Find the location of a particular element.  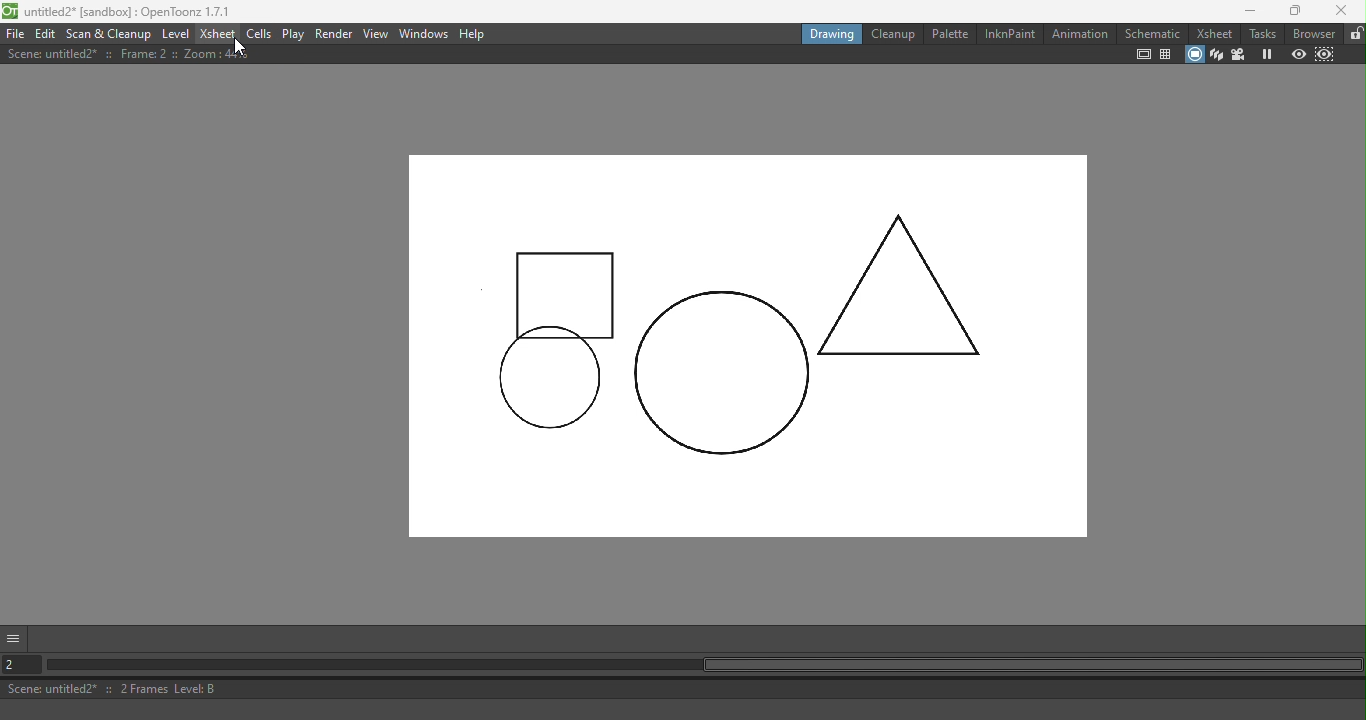

Safe area is located at coordinates (1144, 55).